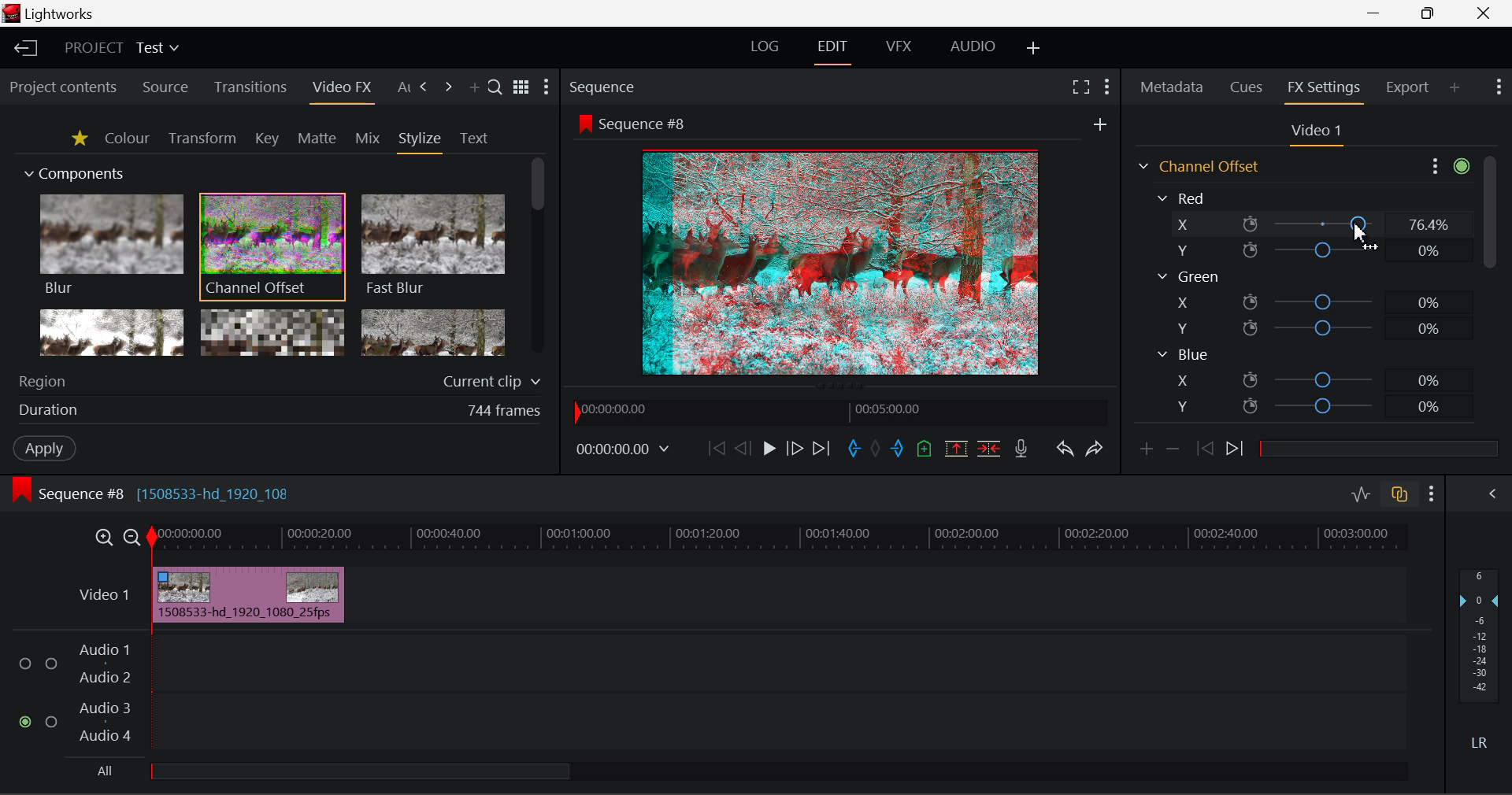 This screenshot has width=1512, height=795. What do you see at coordinates (126, 138) in the screenshot?
I see `Colour` at bounding box center [126, 138].